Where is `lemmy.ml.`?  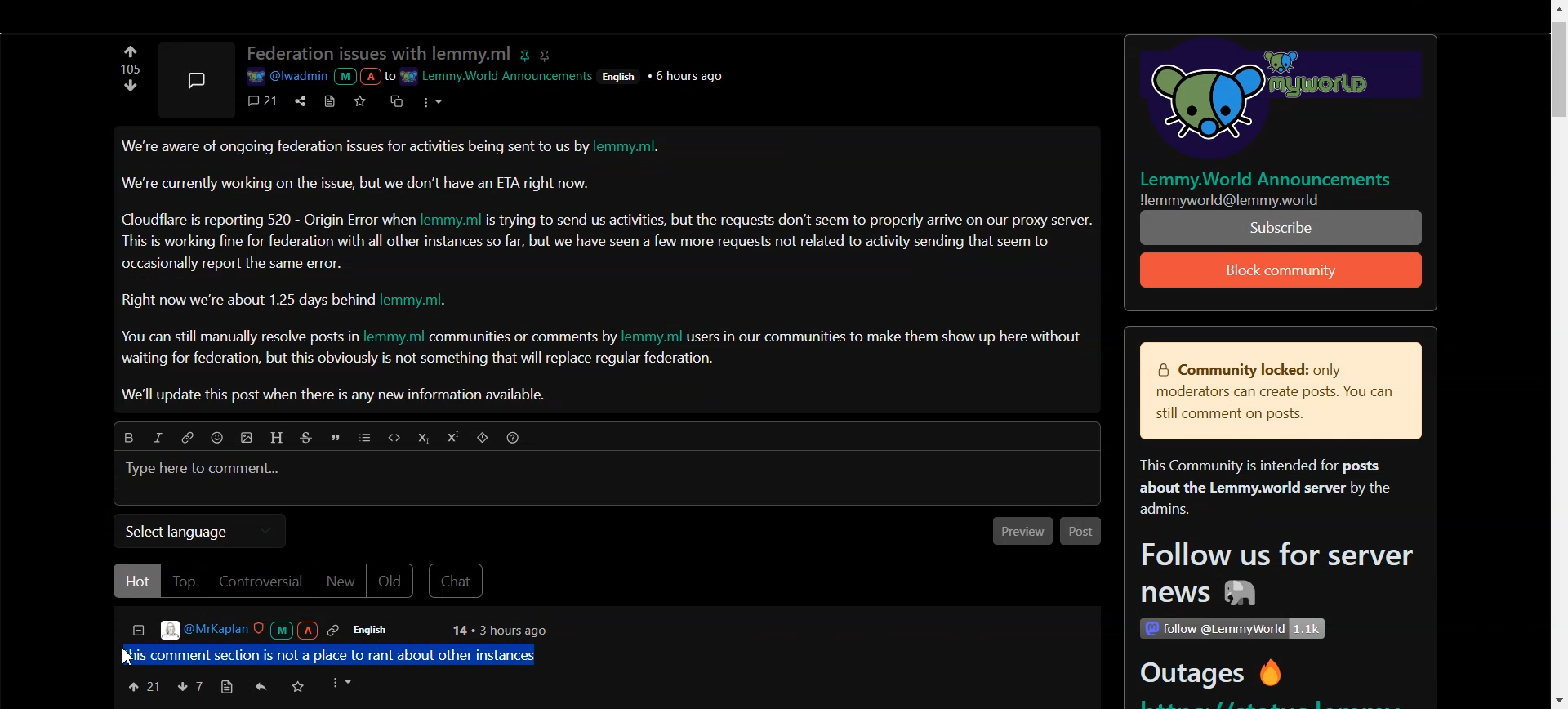 lemmy.ml. is located at coordinates (635, 149).